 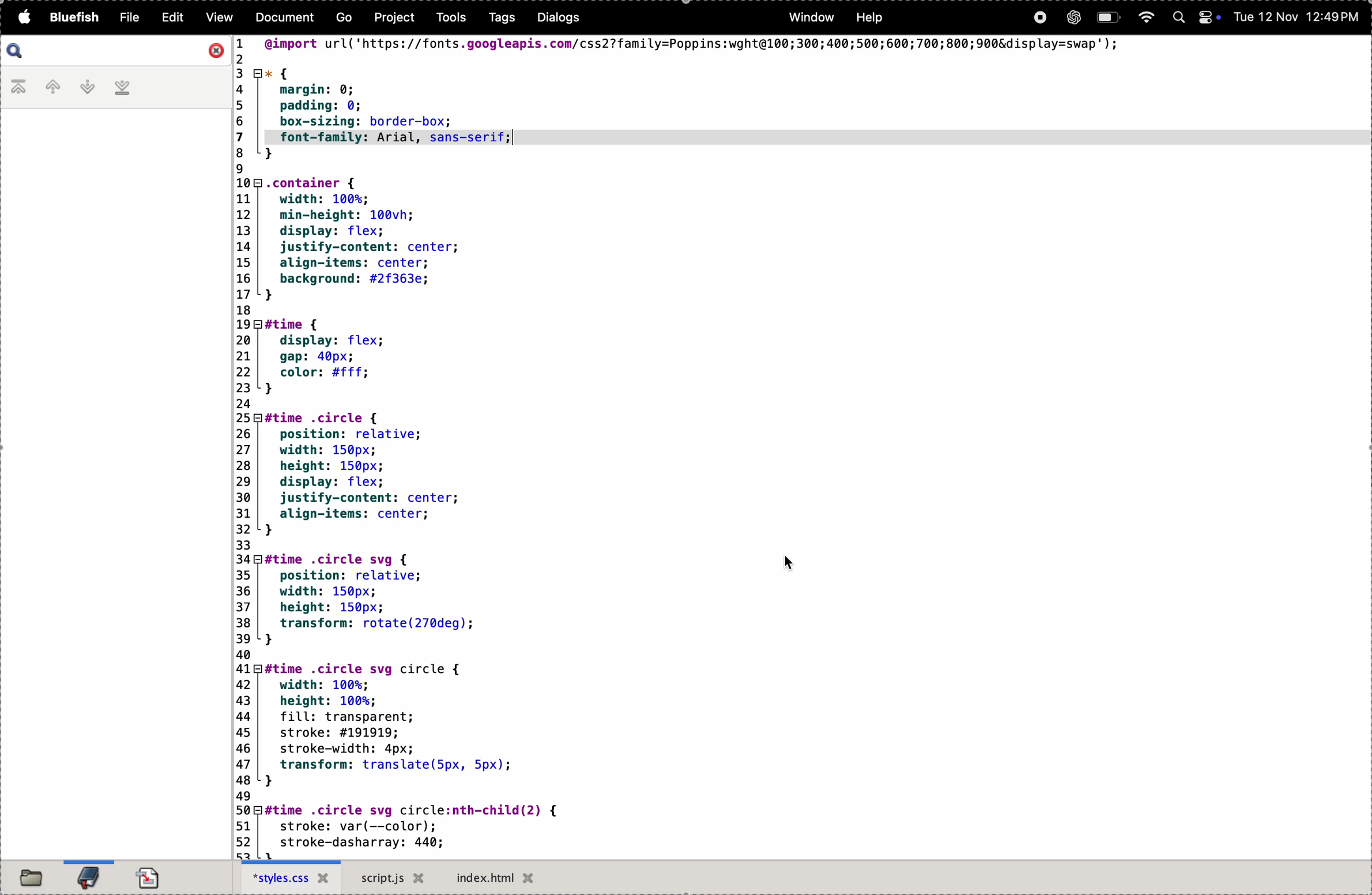 What do you see at coordinates (153, 874) in the screenshot?
I see `open doc` at bounding box center [153, 874].